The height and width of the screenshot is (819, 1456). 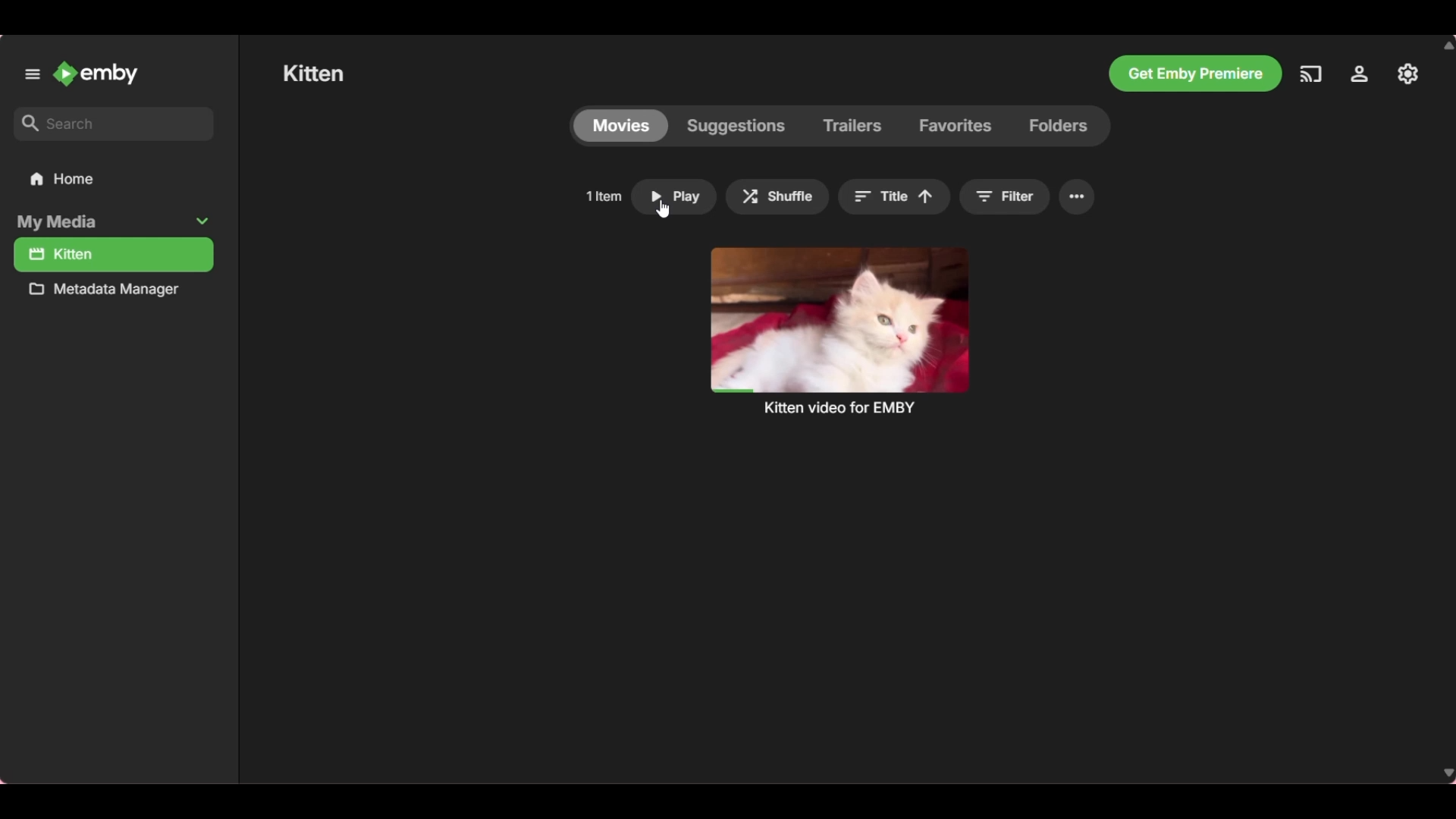 I want to click on Trailers, so click(x=853, y=127).